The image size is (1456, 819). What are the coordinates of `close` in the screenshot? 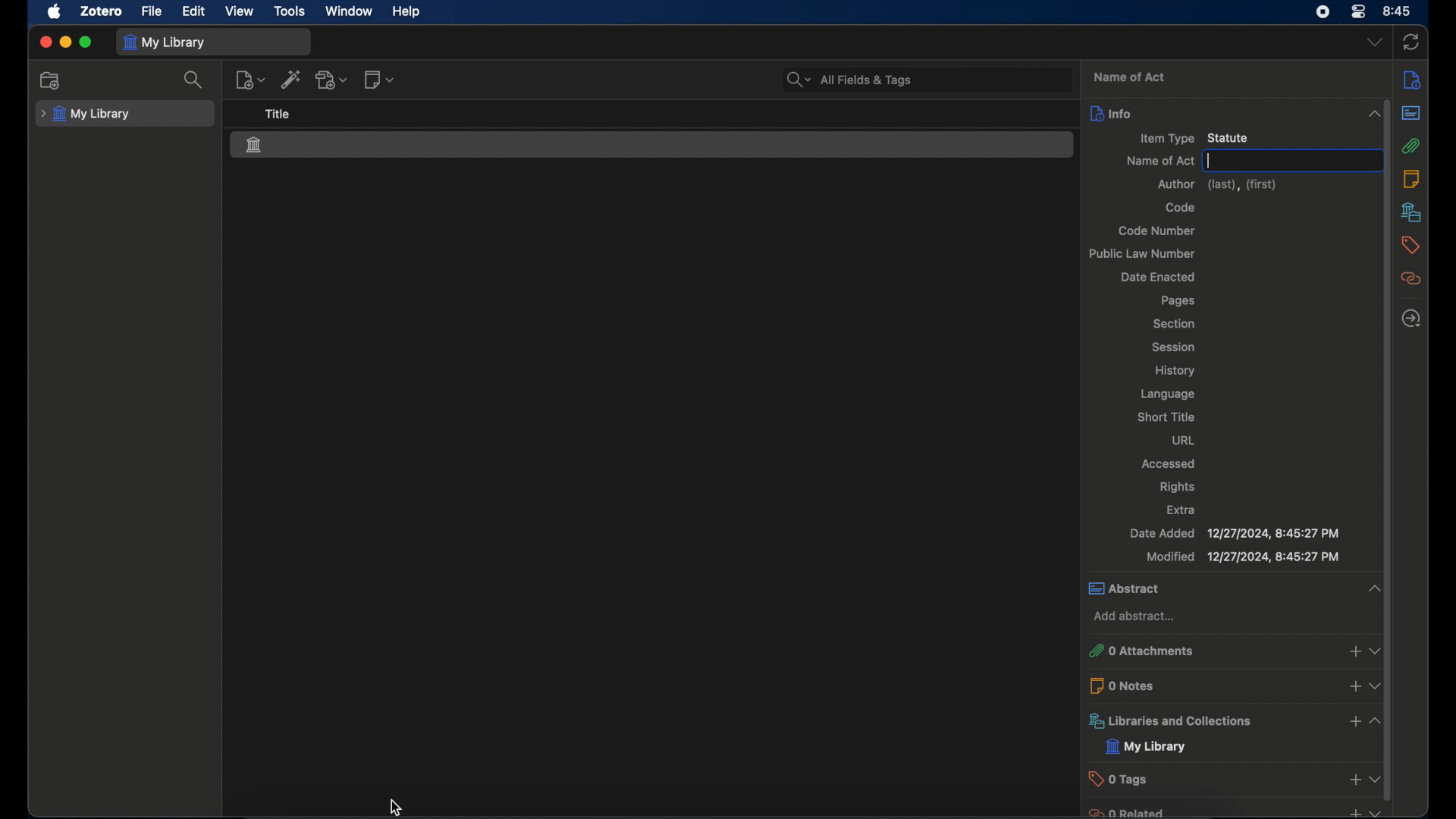 It's located at (45, 42).